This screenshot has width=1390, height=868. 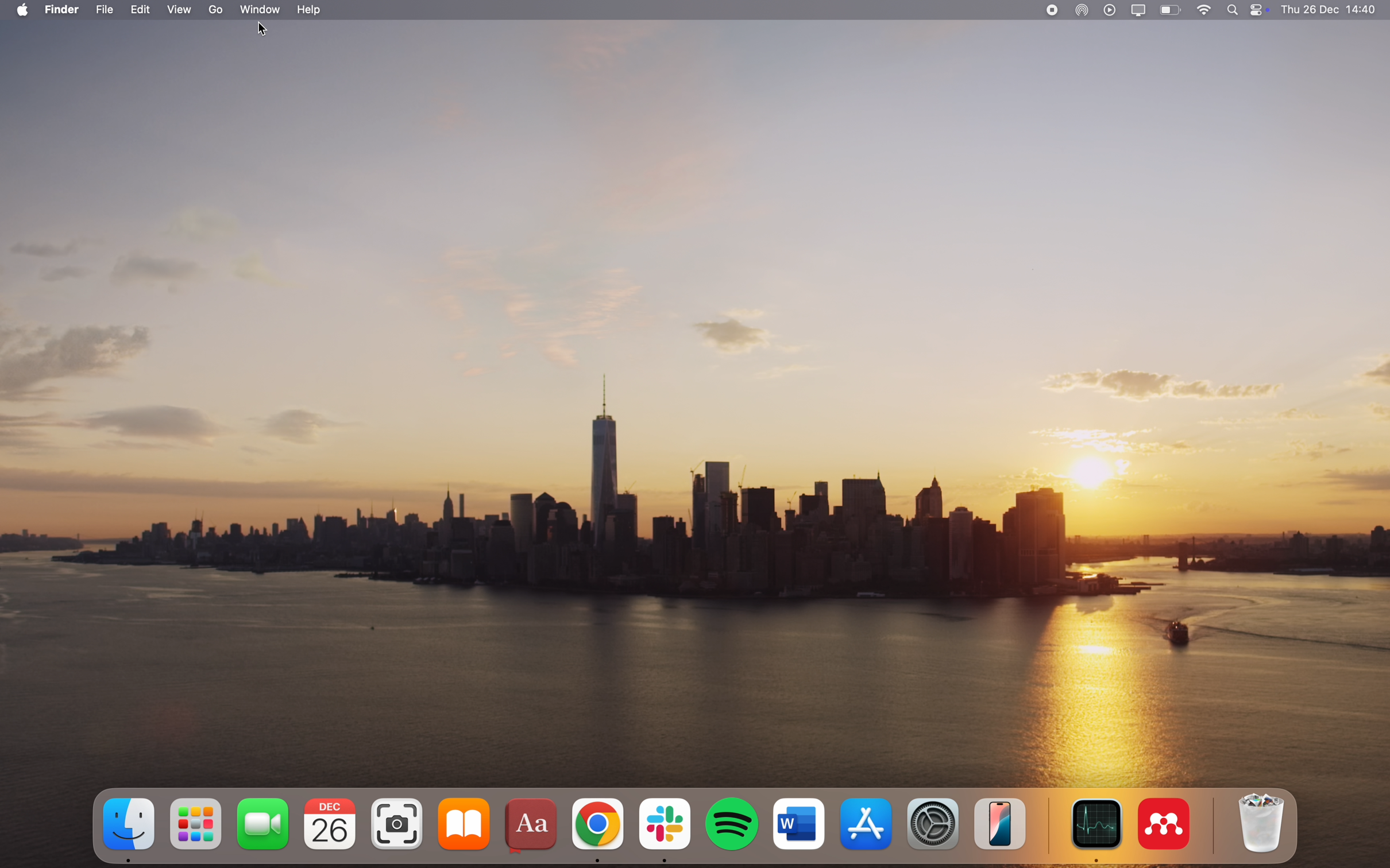 I want to click on Apple icon, so click(x=18, y=10).